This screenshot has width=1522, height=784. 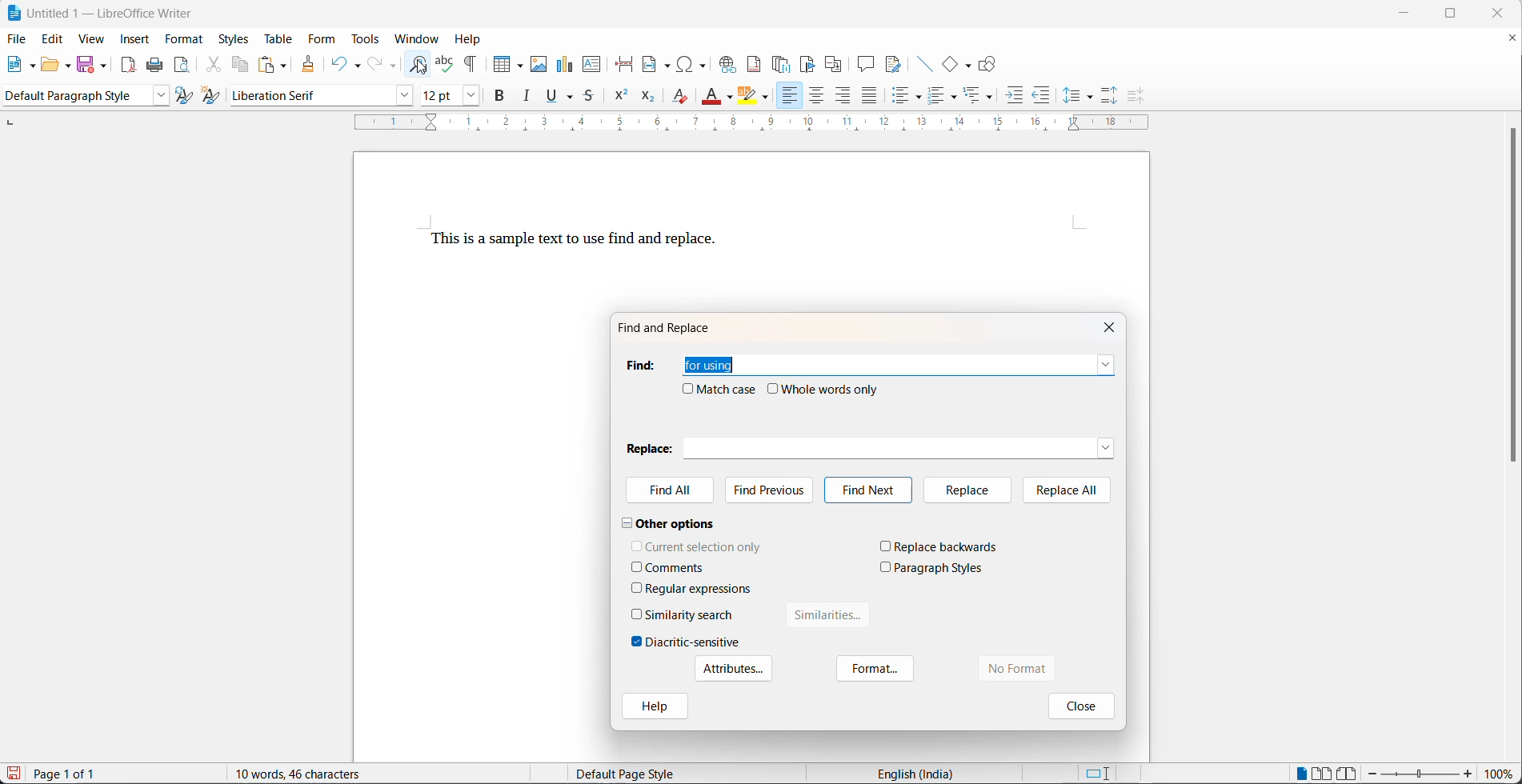 I want to click on insert images, so click(x=540, y=58).